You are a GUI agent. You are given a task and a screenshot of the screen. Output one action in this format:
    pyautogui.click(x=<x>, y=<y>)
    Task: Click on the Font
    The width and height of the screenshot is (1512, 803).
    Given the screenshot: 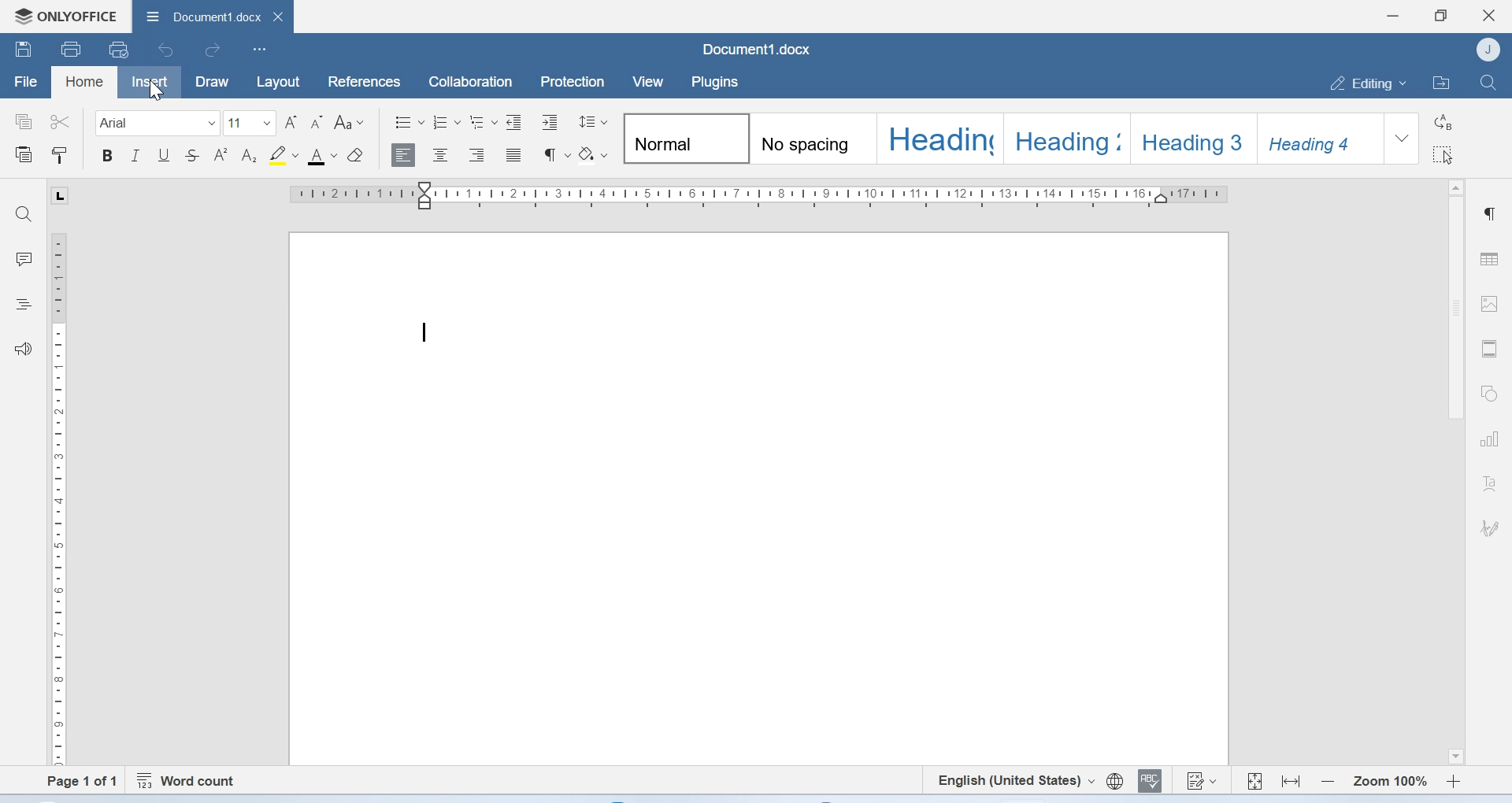 What is the action you would take?
    pyautogui.click(x=156, y=124)
    